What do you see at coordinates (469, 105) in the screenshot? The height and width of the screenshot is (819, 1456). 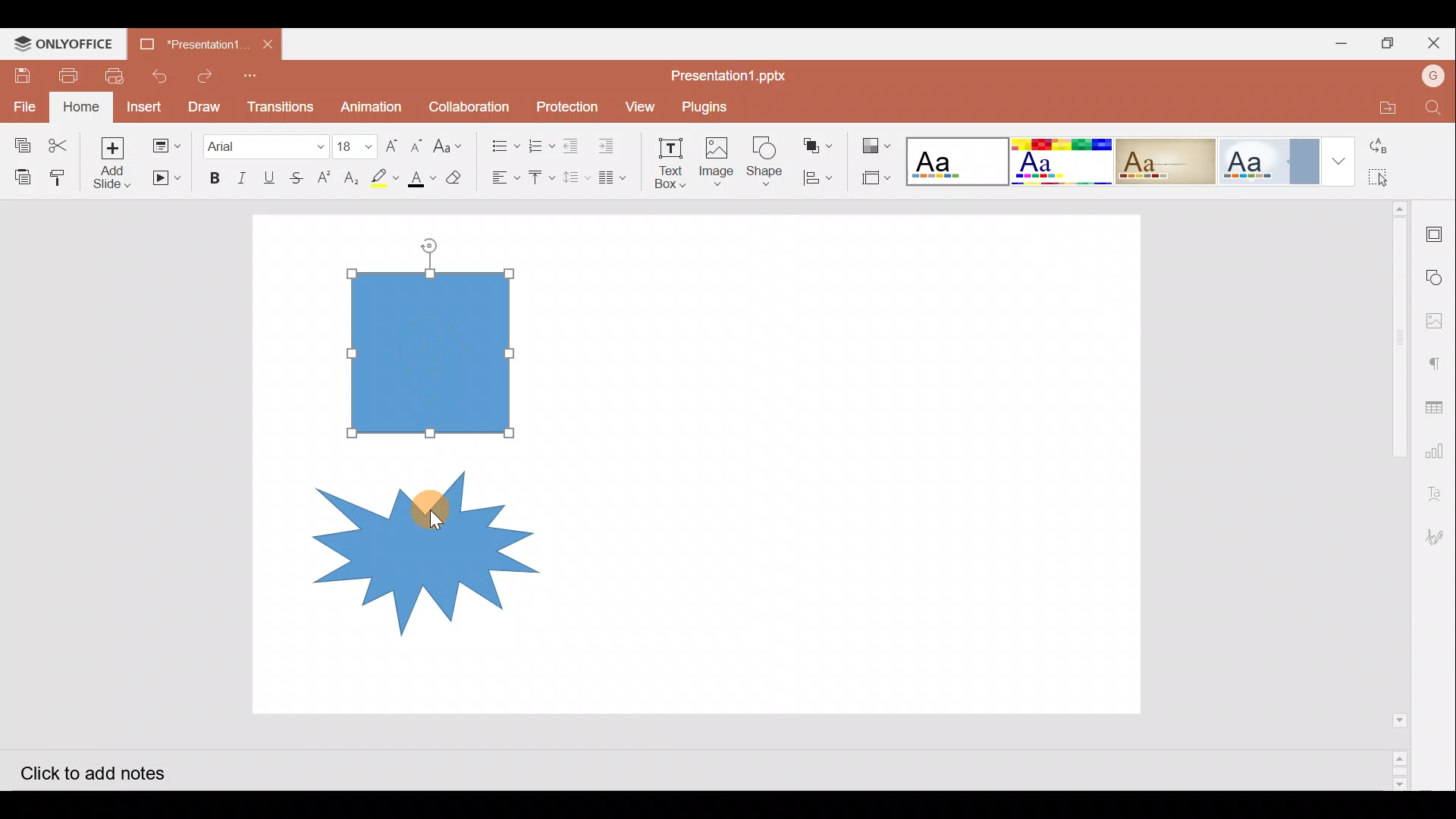 I see `Collaboration` at bounding box center [469, 105].